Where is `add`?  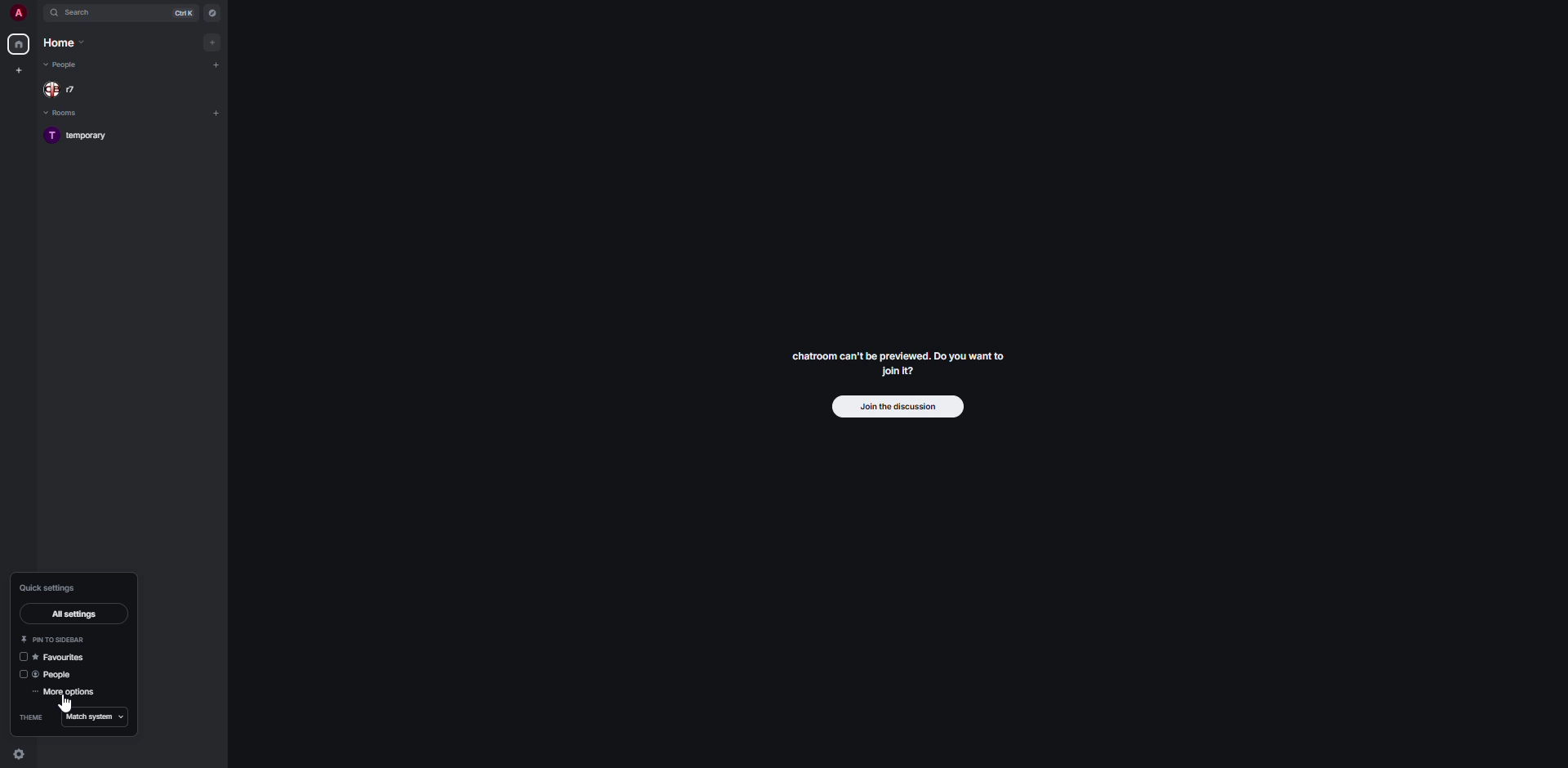
add is located at coordinates (218, 65).